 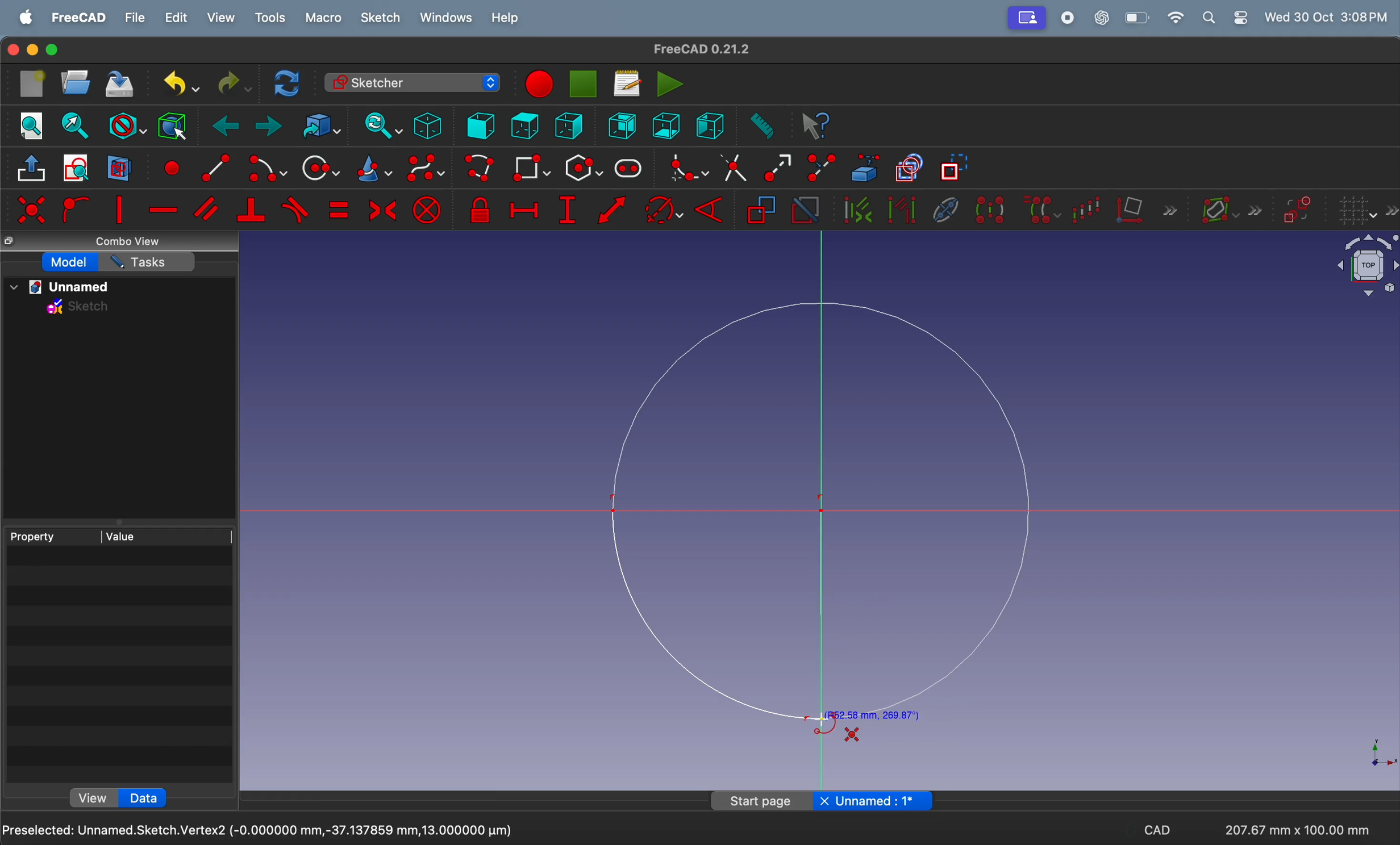 What do you see at coordinates (381, 18) in the screenshot?
I see `sketch` at bounding box center [381, 18].